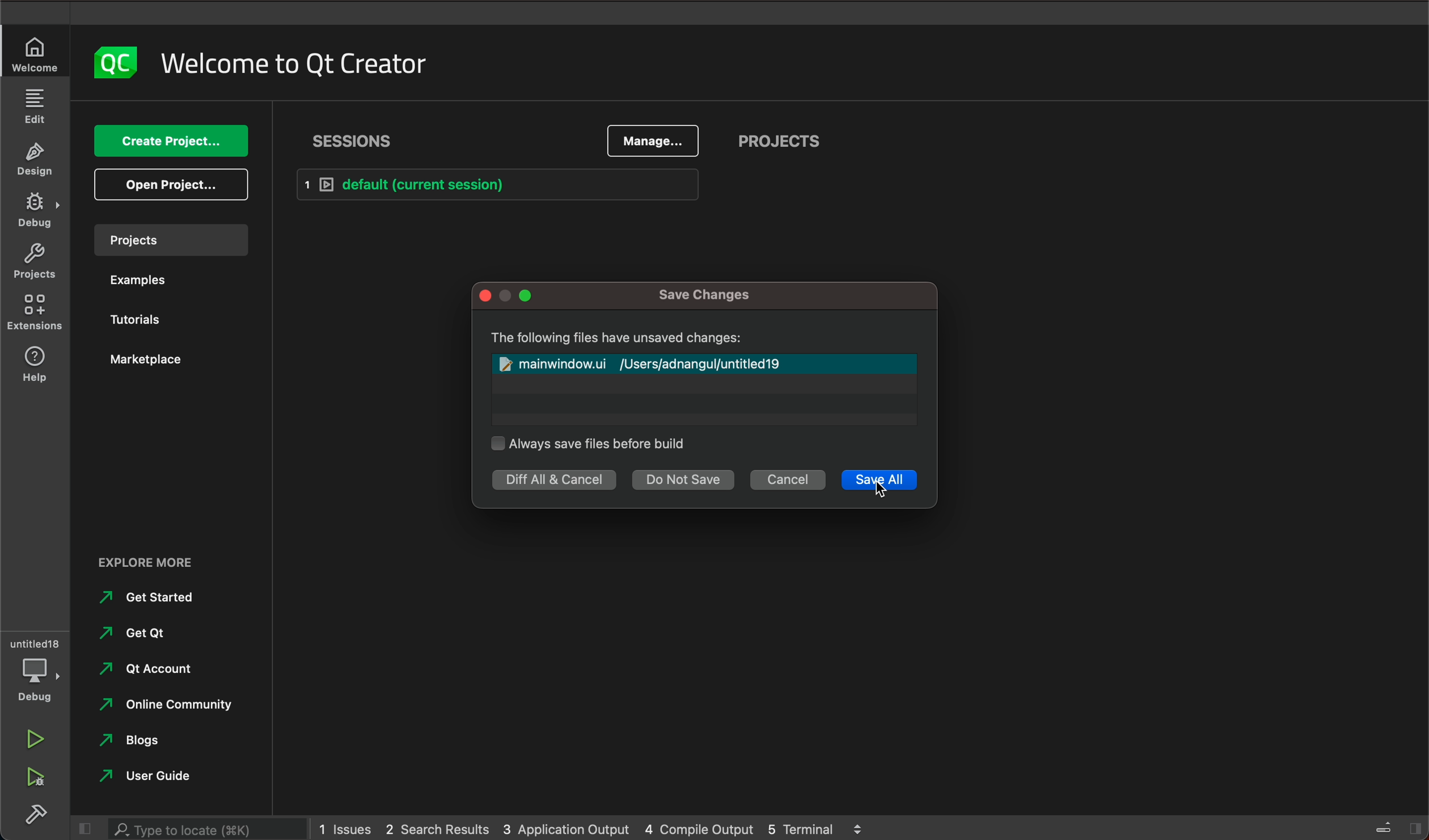 The height and width of the screenshot is (840, 1429). What do you see at coordinates (619, 338) in the screenshot?
I see `The following files have unsaved changes:` at bounding box center [619, 338].